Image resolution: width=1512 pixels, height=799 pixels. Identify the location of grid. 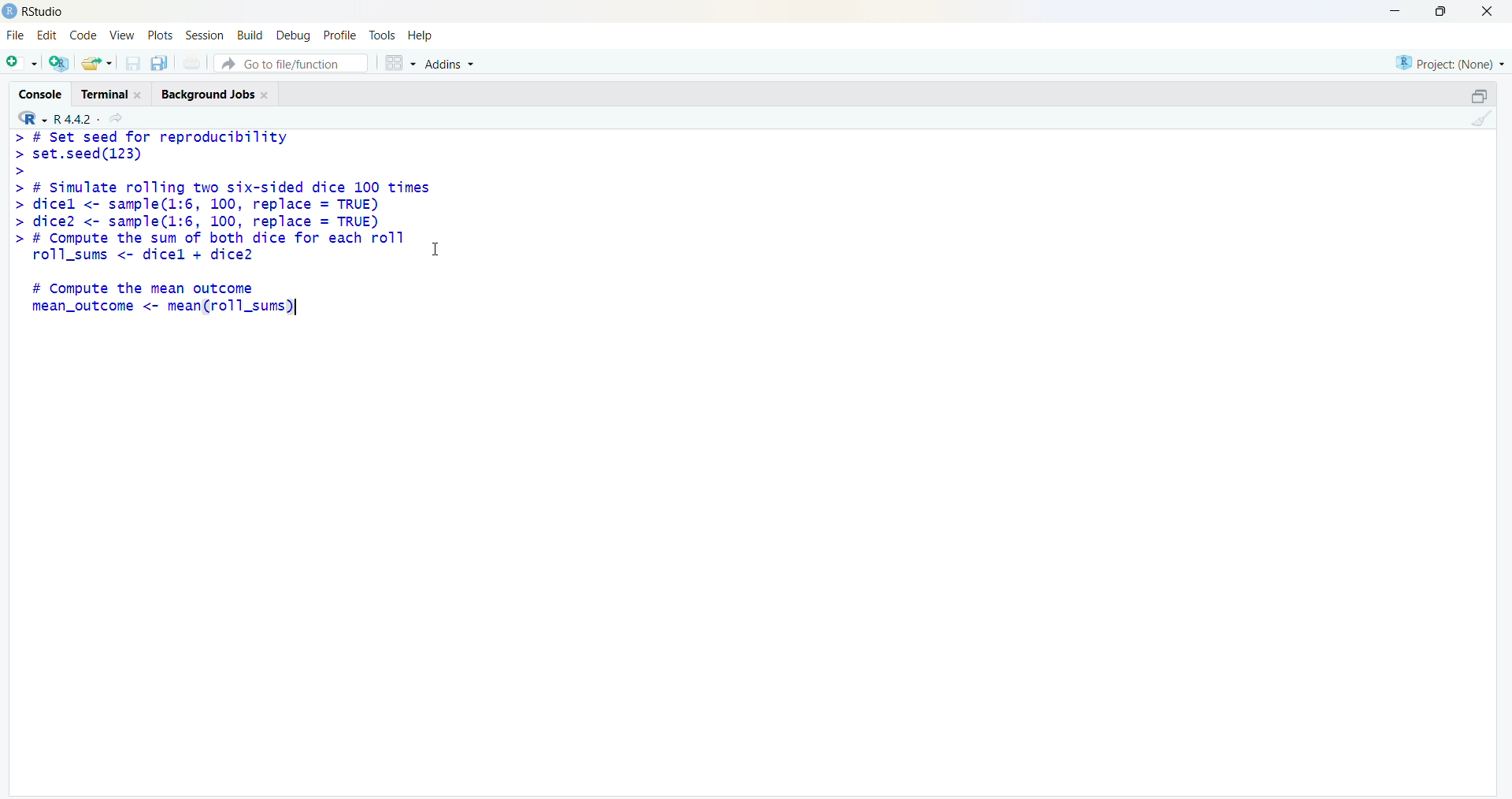
(401, 63).